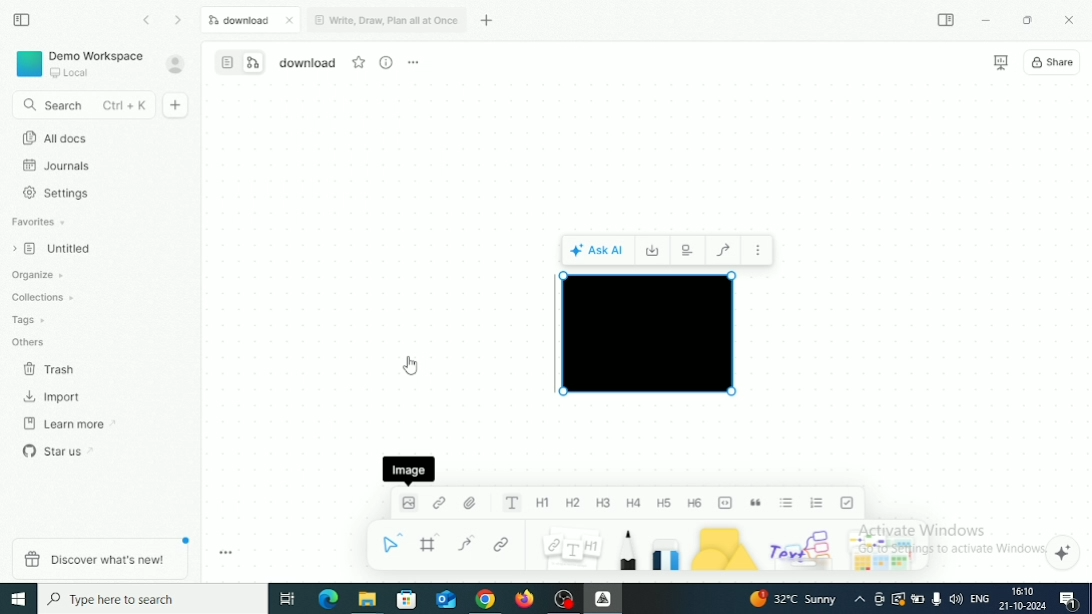  What do you see at coordinates (955, 600) in the screenshot?
I see `Speakers` at bounding box center [955, 600].